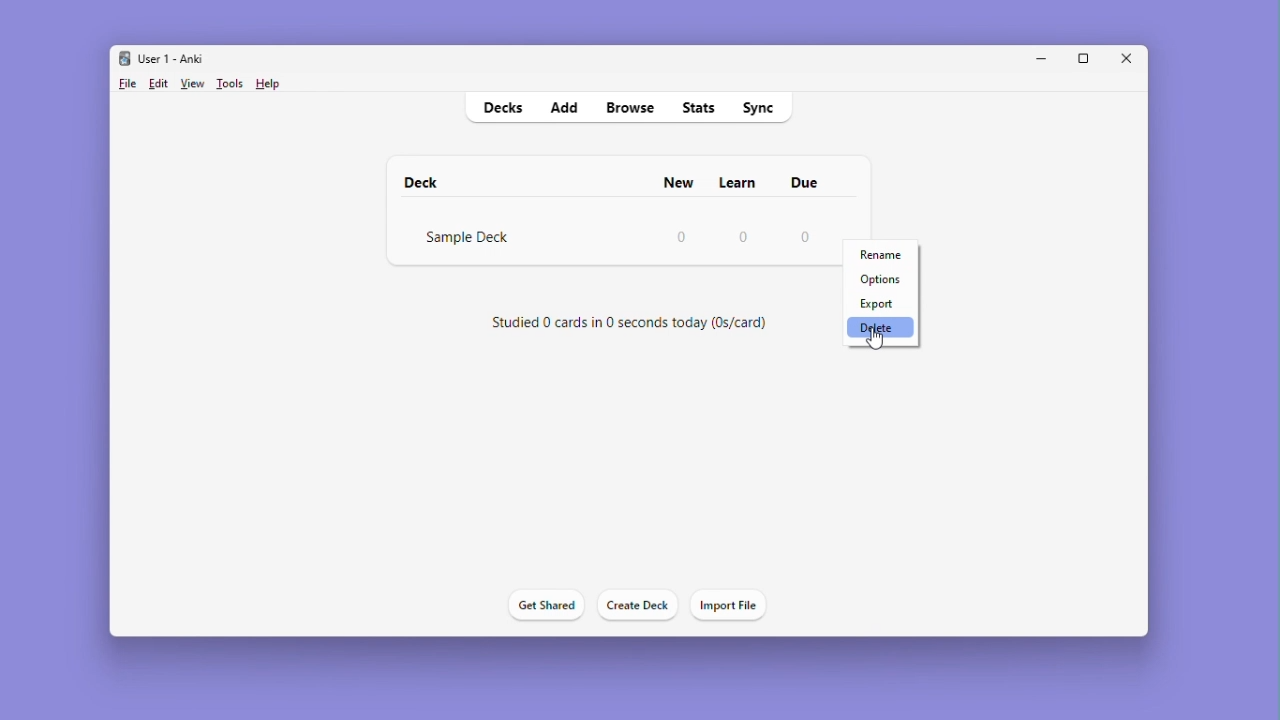  I want to click on 0, so click(684, 237).